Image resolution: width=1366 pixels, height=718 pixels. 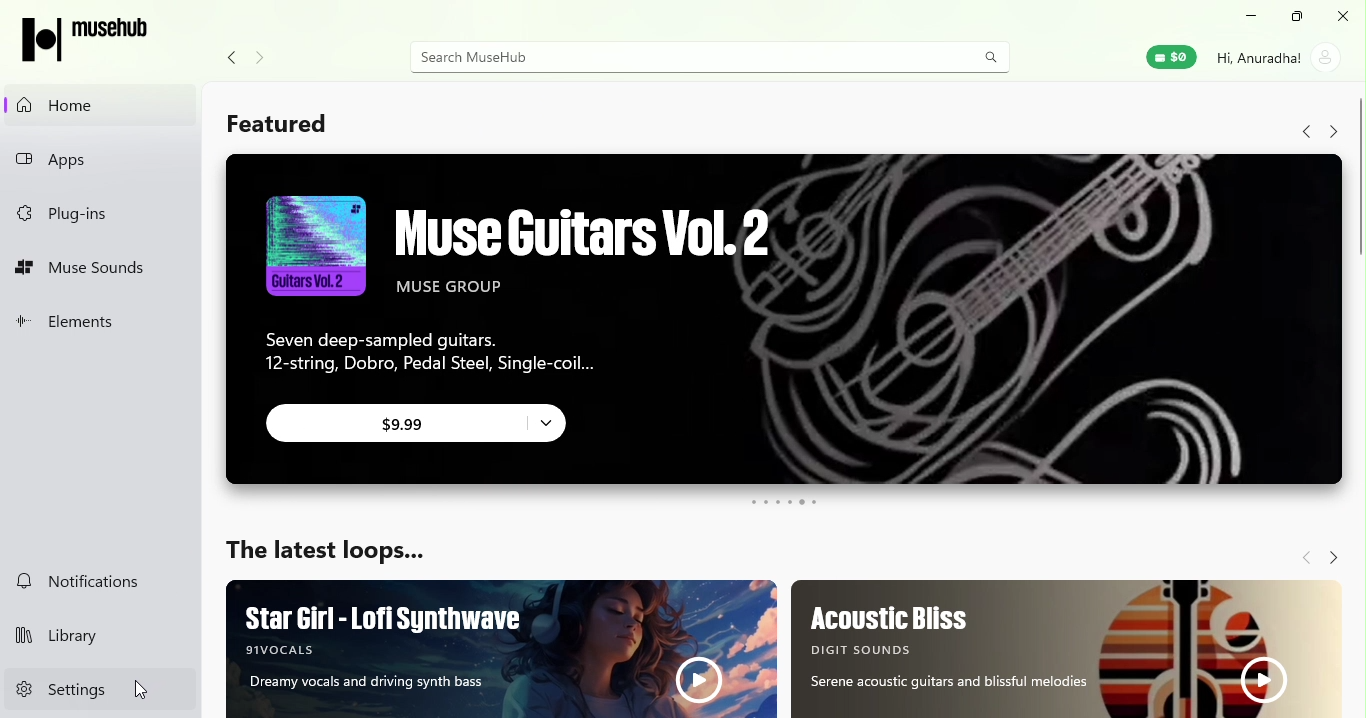 I want to click on Navigate forward, so click(x=1331, y=558).